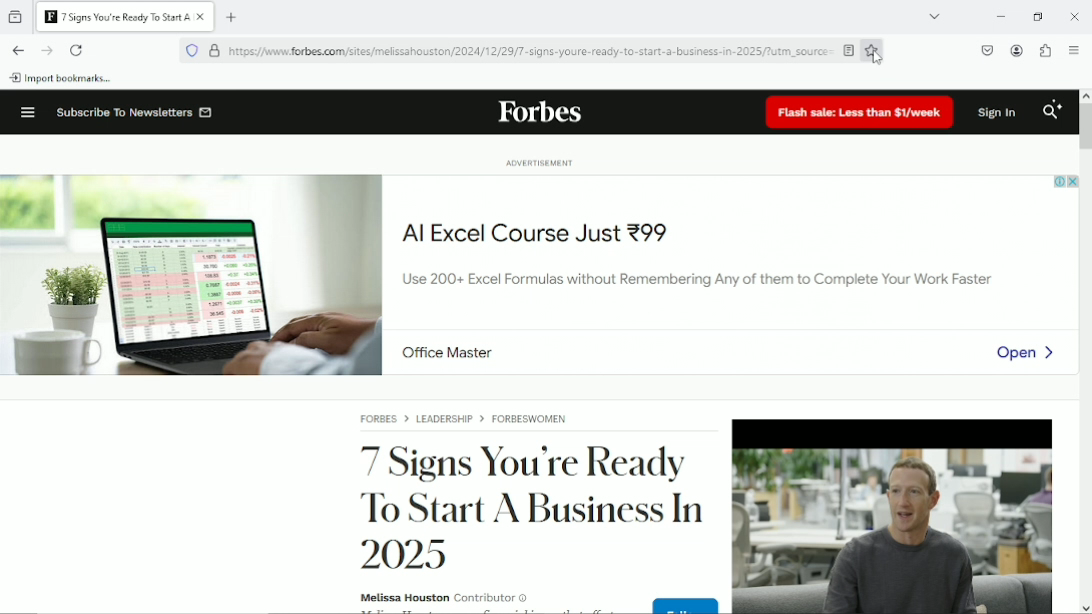  I want to click on Go forward, so click(46, 50).